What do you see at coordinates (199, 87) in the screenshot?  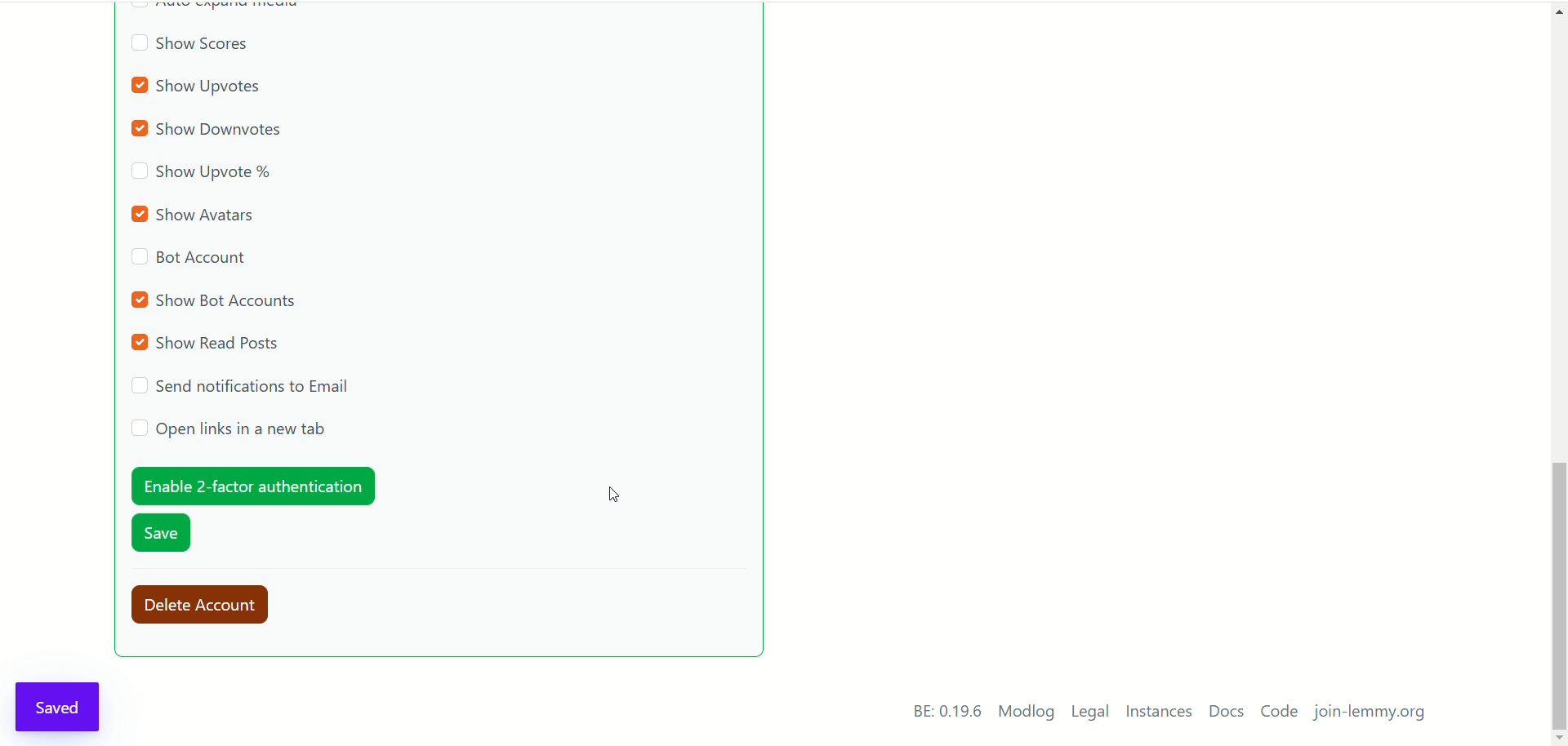 I see `selected show upvotes` at bounding box center [199, 87].